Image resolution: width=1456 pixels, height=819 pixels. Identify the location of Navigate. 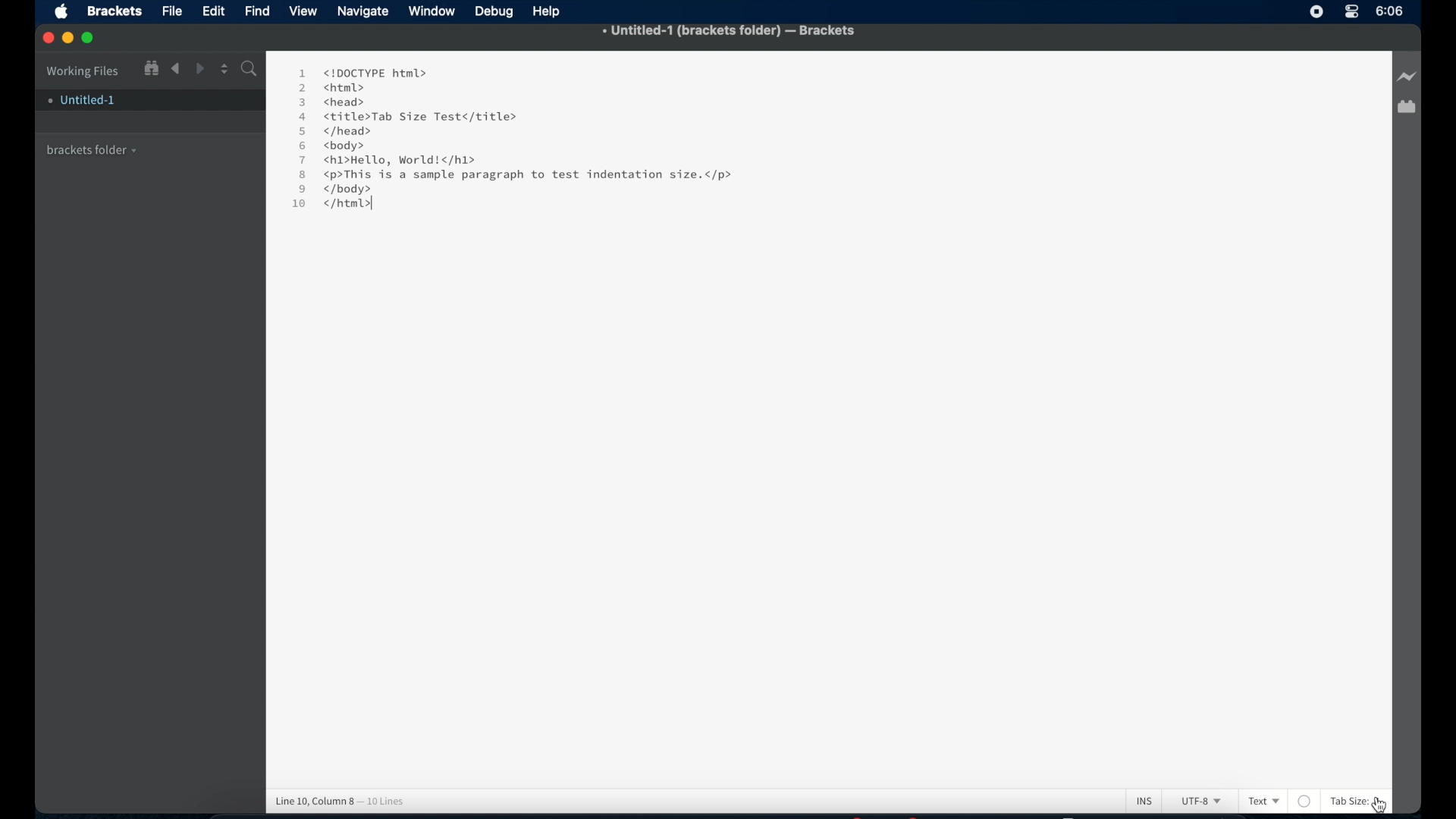
(363, 13).